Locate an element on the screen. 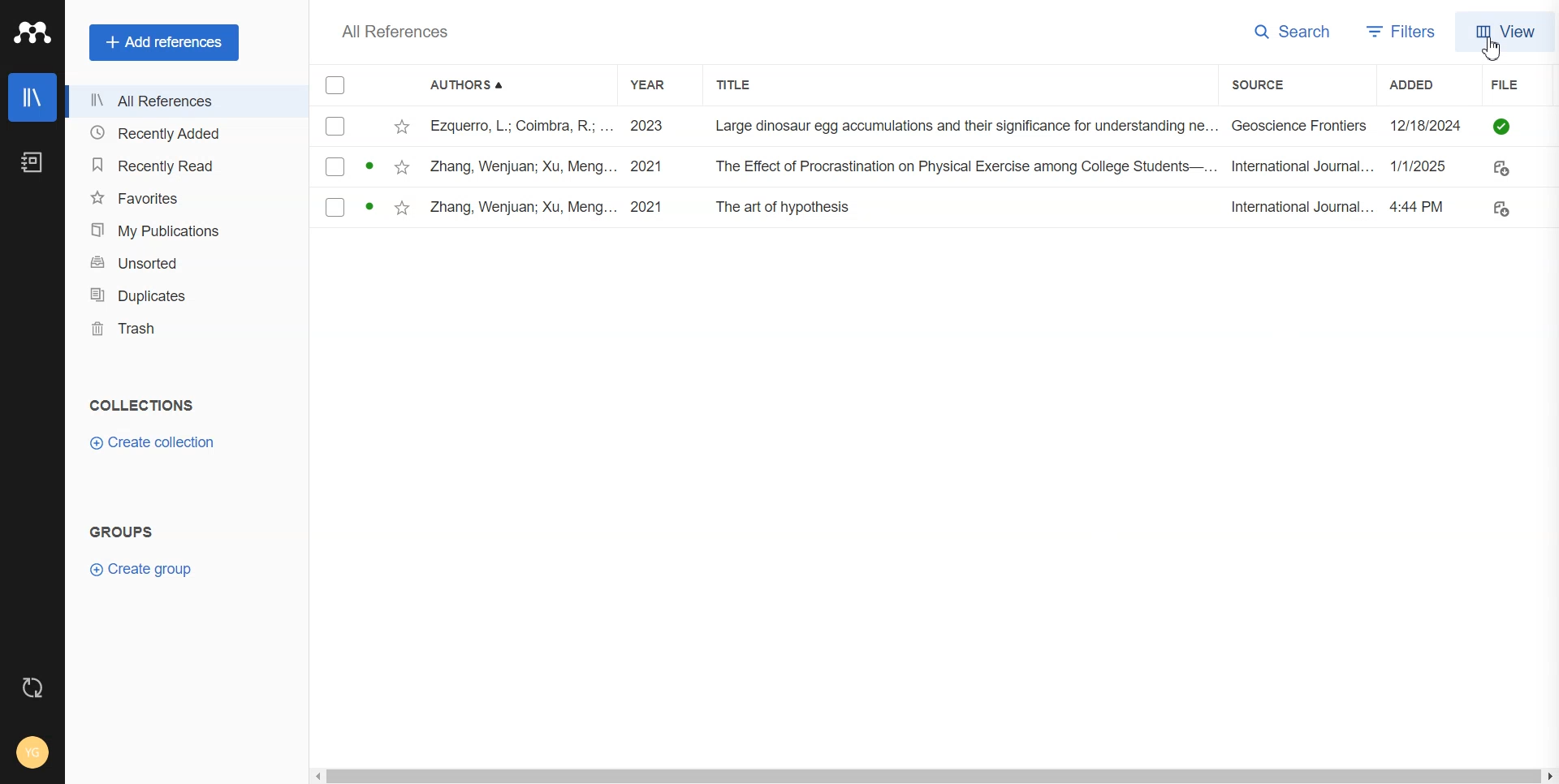 Image resolution: width=1559 pixels, height=784 pixels. Create Group is located at coordinates (145, 570).